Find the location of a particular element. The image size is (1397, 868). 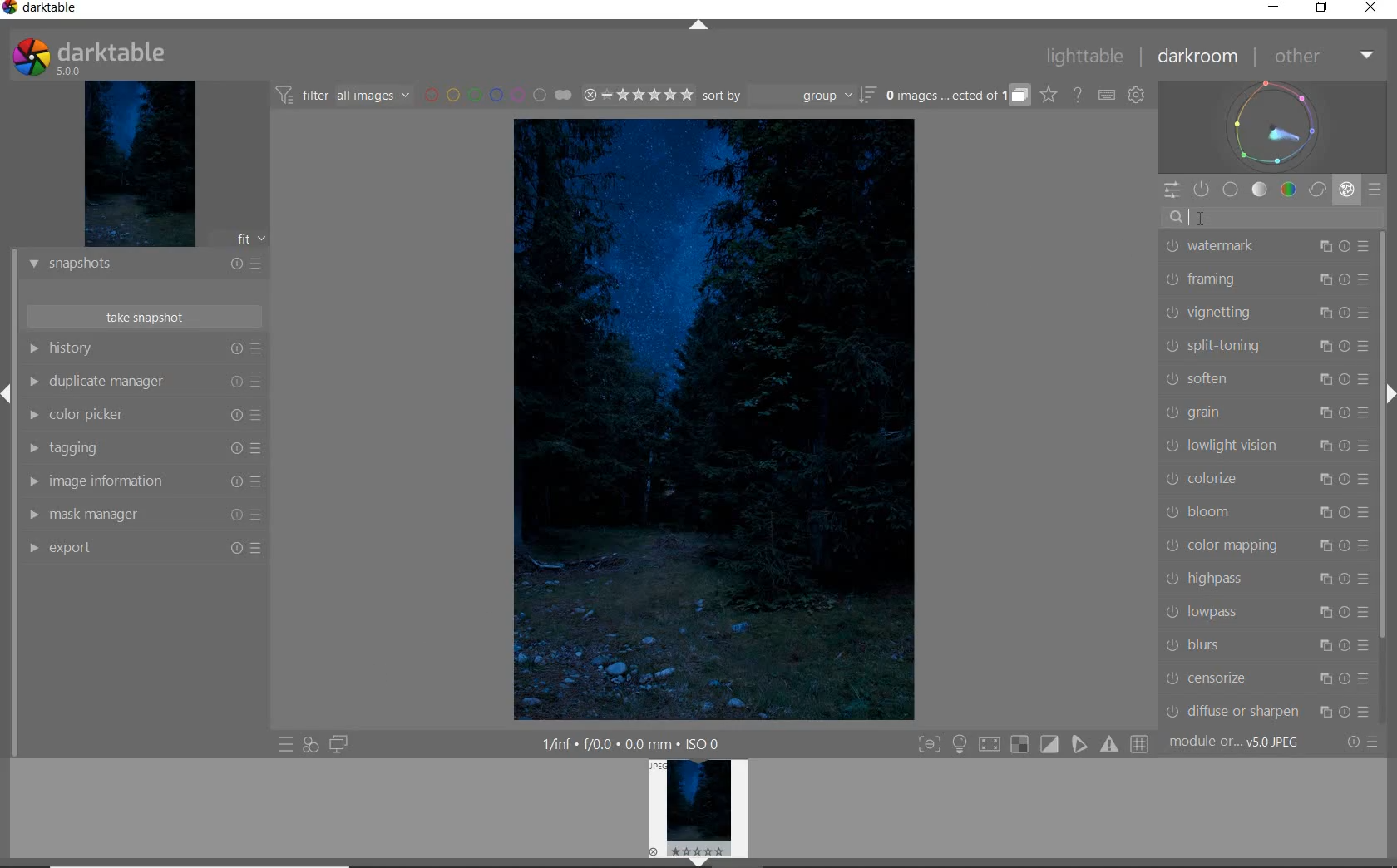

TOGGLE MODES is located at coordinates (1033, 744).